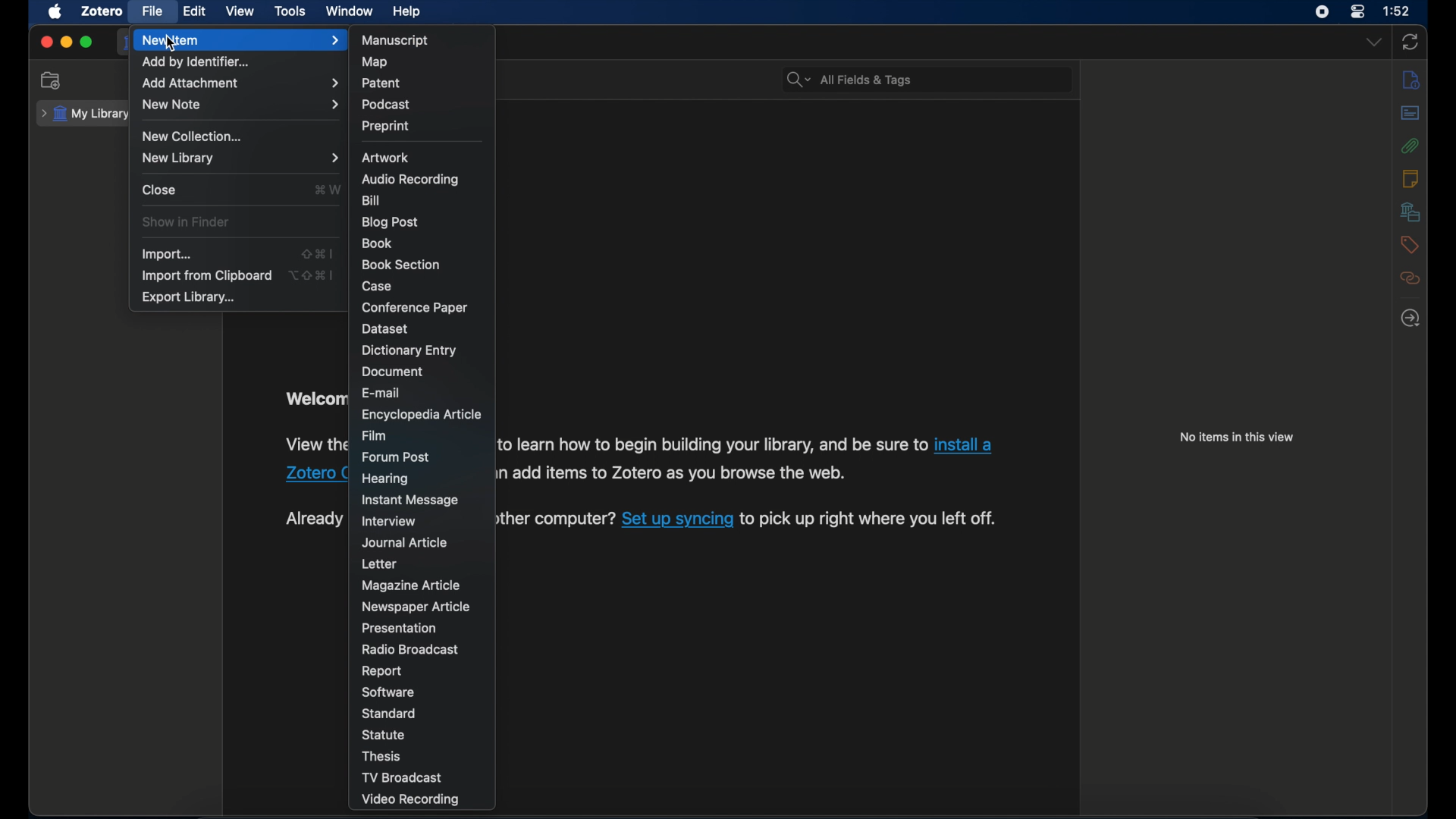 This screenshot has width=1456, height=819. I want to click on sync, so click(1410, 43).